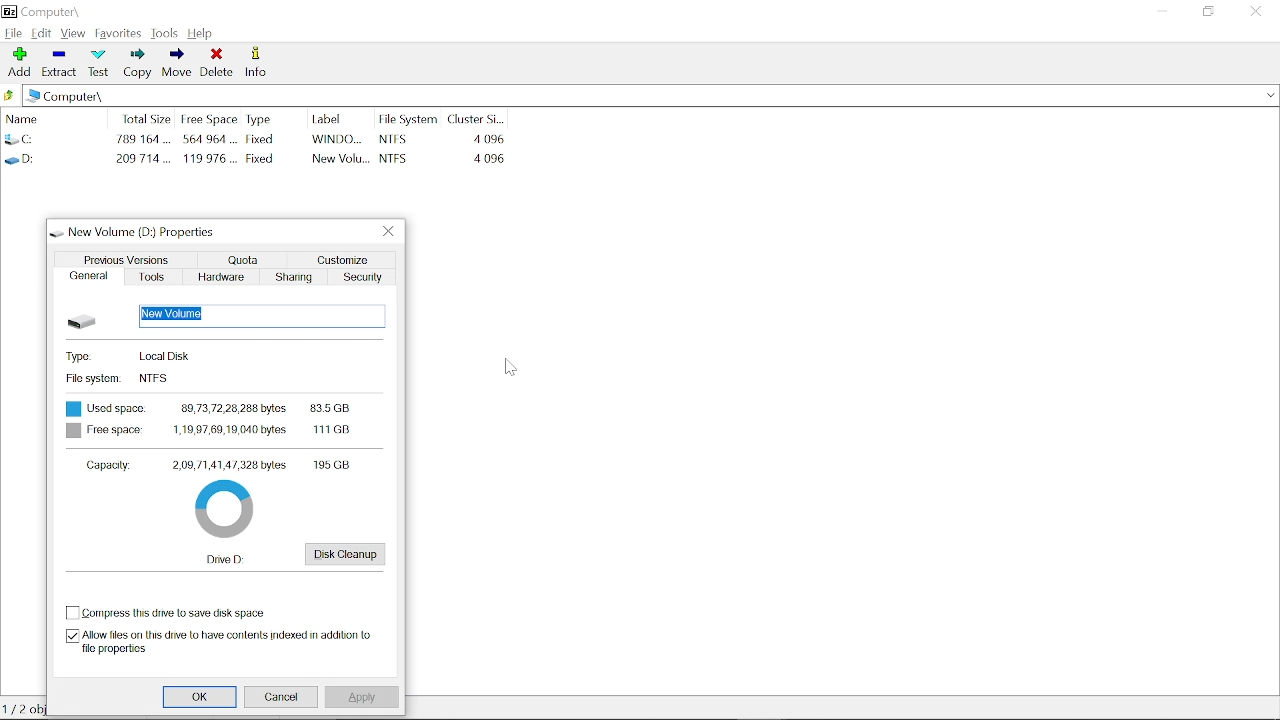 The image size is (1280, 720). Describe the element at coordinates (337, 260) in the screenshot. I see `customize` at that location.